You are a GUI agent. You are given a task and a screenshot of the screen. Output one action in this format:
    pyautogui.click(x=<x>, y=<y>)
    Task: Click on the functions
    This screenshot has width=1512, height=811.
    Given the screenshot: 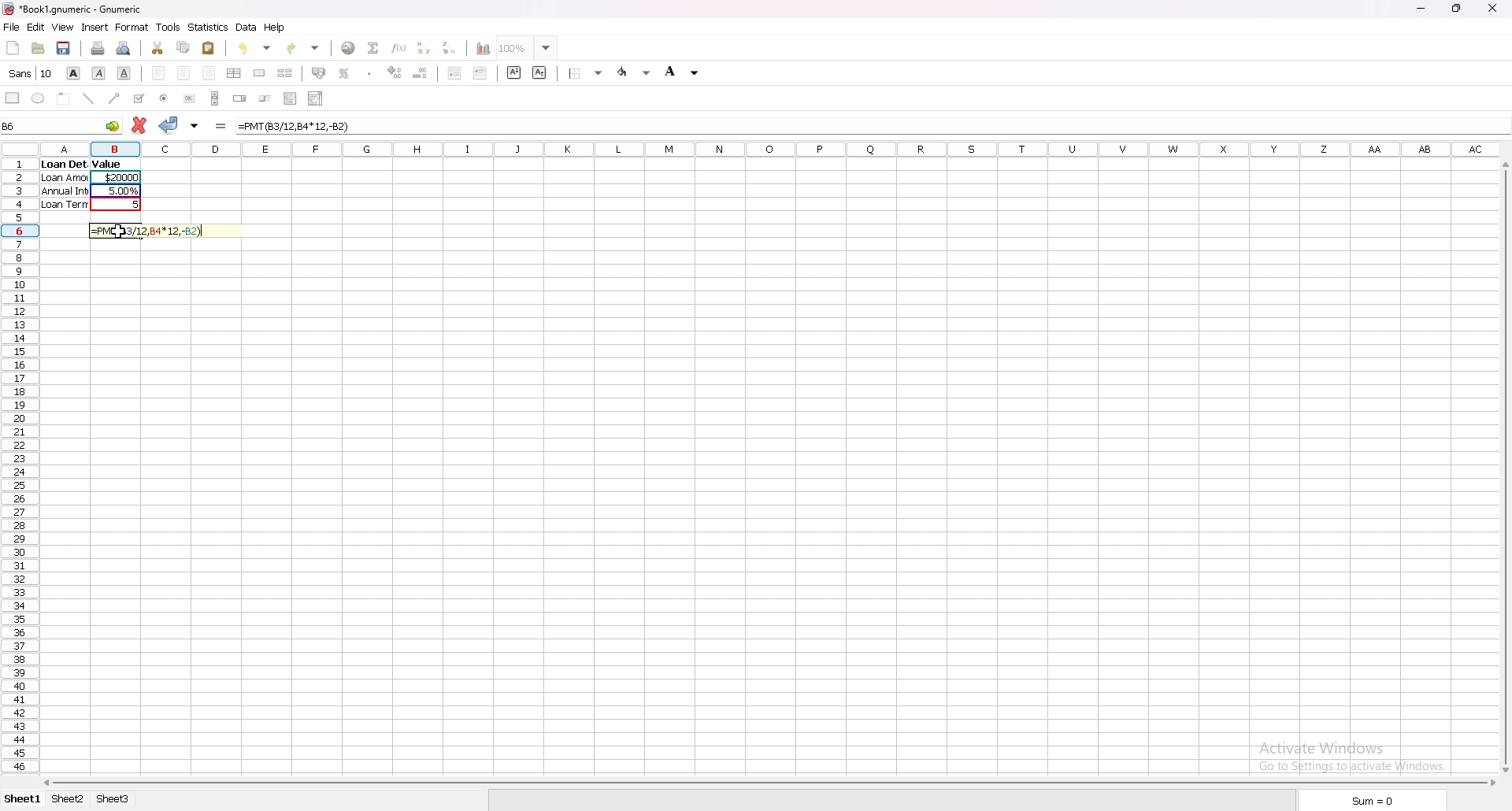 What is the action you would take?
    pyautogui.click(x=400, y=49)
    